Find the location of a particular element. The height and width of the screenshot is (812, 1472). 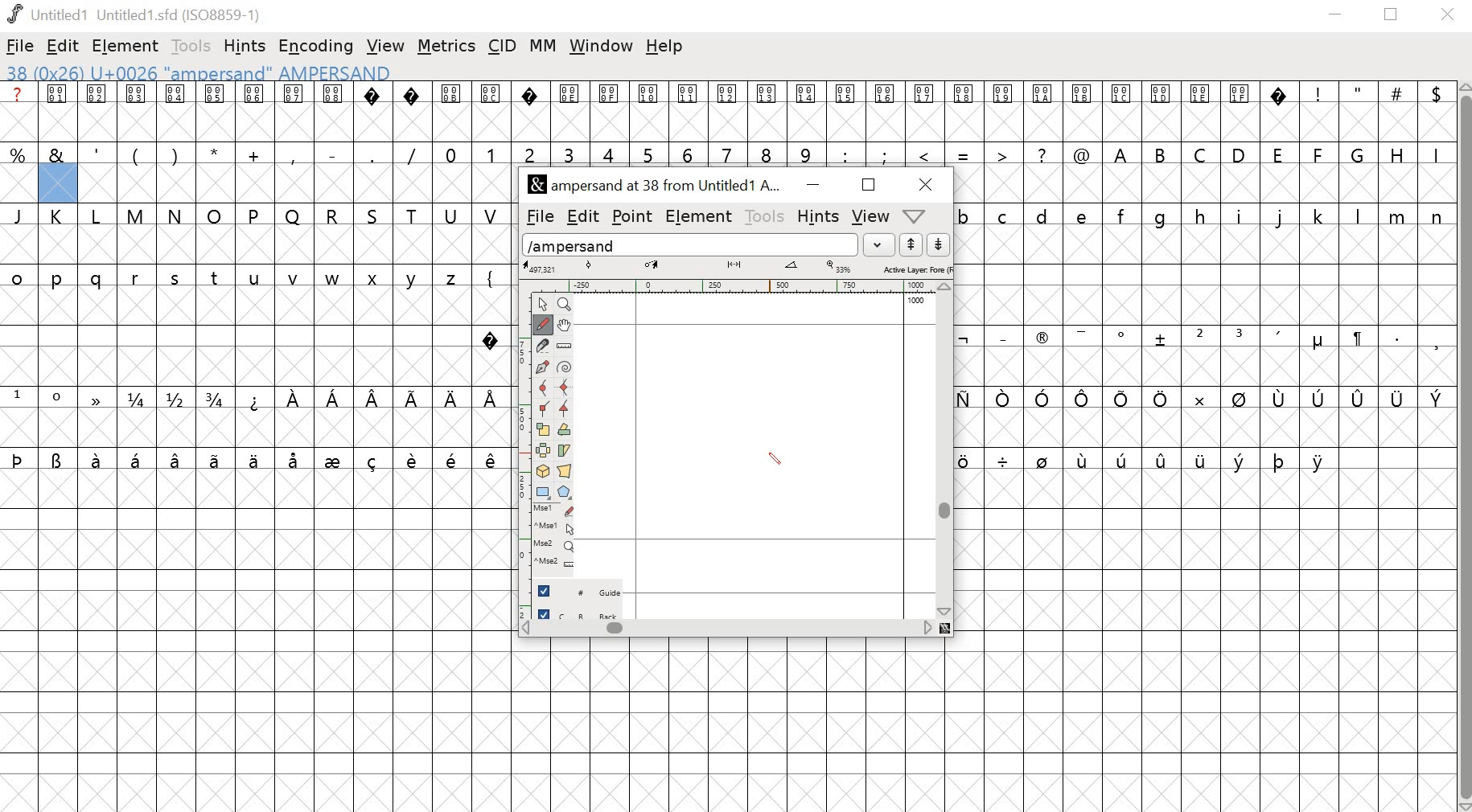

% is located at coordinates (19, 154).